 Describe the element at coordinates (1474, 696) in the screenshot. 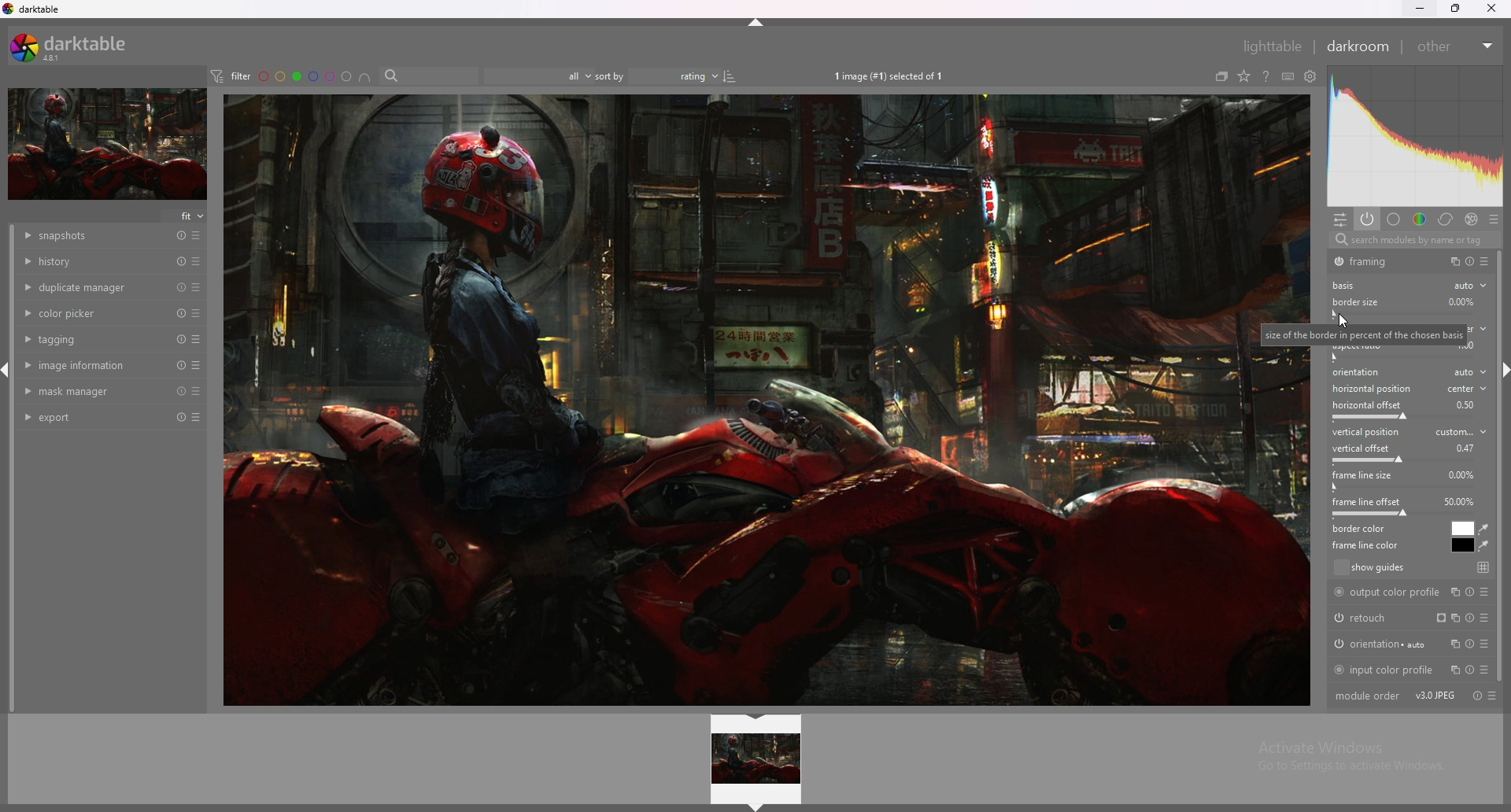

I see `toggle` at that location.